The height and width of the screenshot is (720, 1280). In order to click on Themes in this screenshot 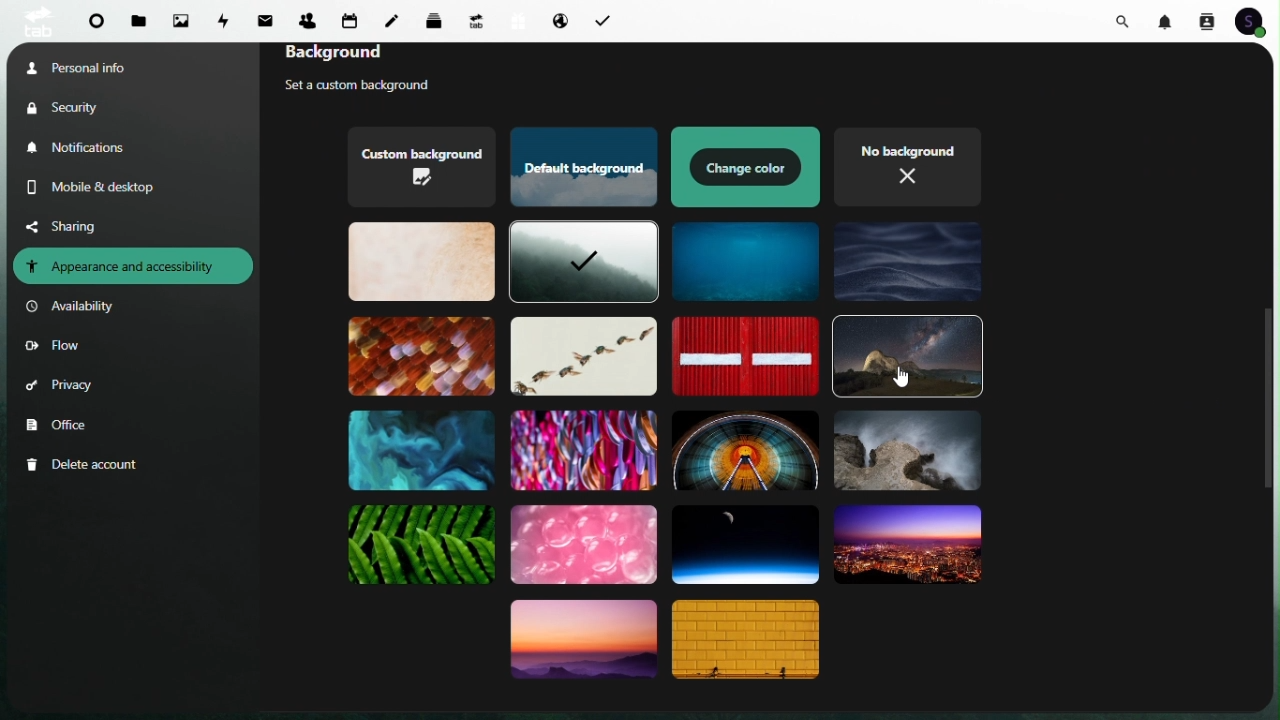, I will do `click(420, 168)`.